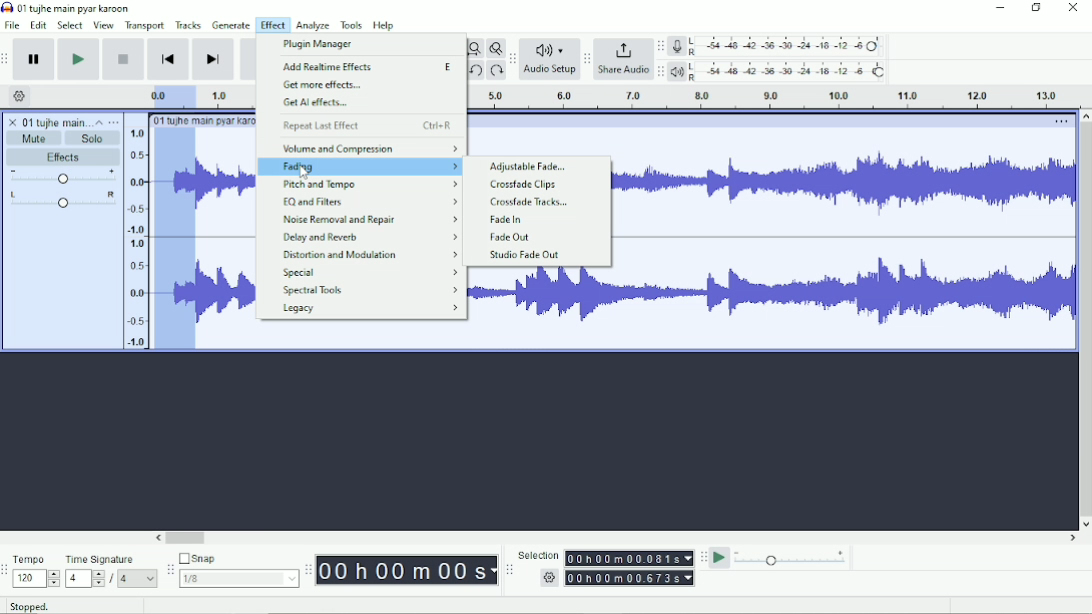 The width and height of the screenshot is (1092, 614). Describe the element at coordinates (113, 579) in the screenshot. I see `/` at that location.